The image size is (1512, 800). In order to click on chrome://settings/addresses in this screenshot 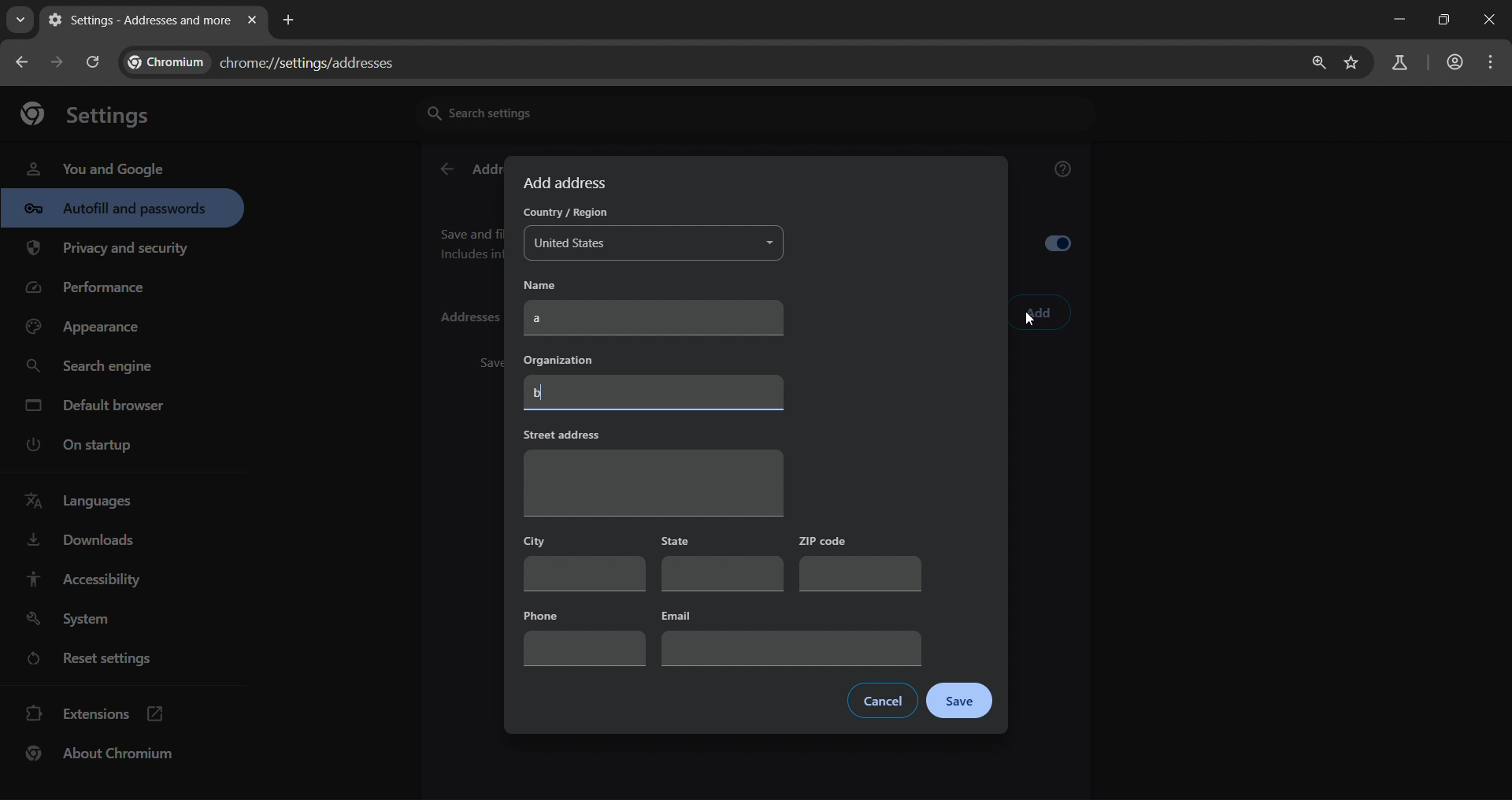, I will do `click(272, 59)`.